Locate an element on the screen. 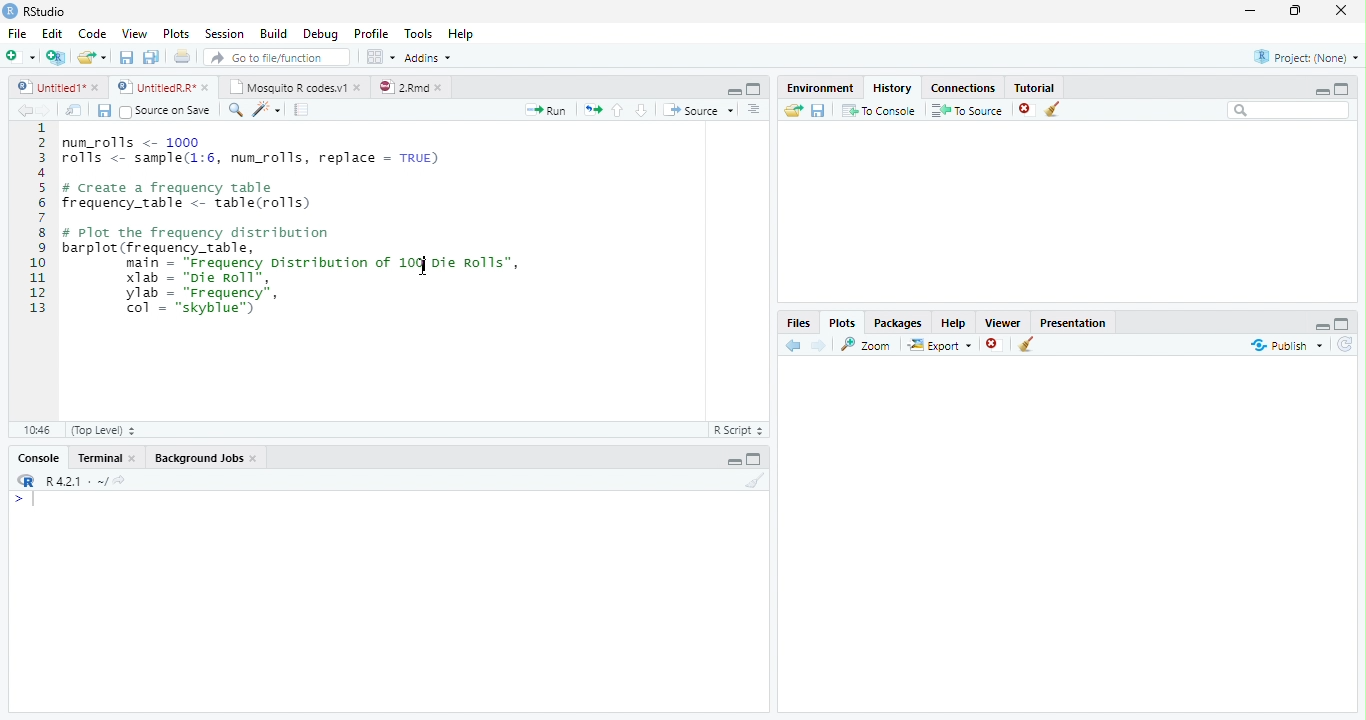 This screenshot has width=1366, height=720. Code Tools is located at coordinates (265, 110).